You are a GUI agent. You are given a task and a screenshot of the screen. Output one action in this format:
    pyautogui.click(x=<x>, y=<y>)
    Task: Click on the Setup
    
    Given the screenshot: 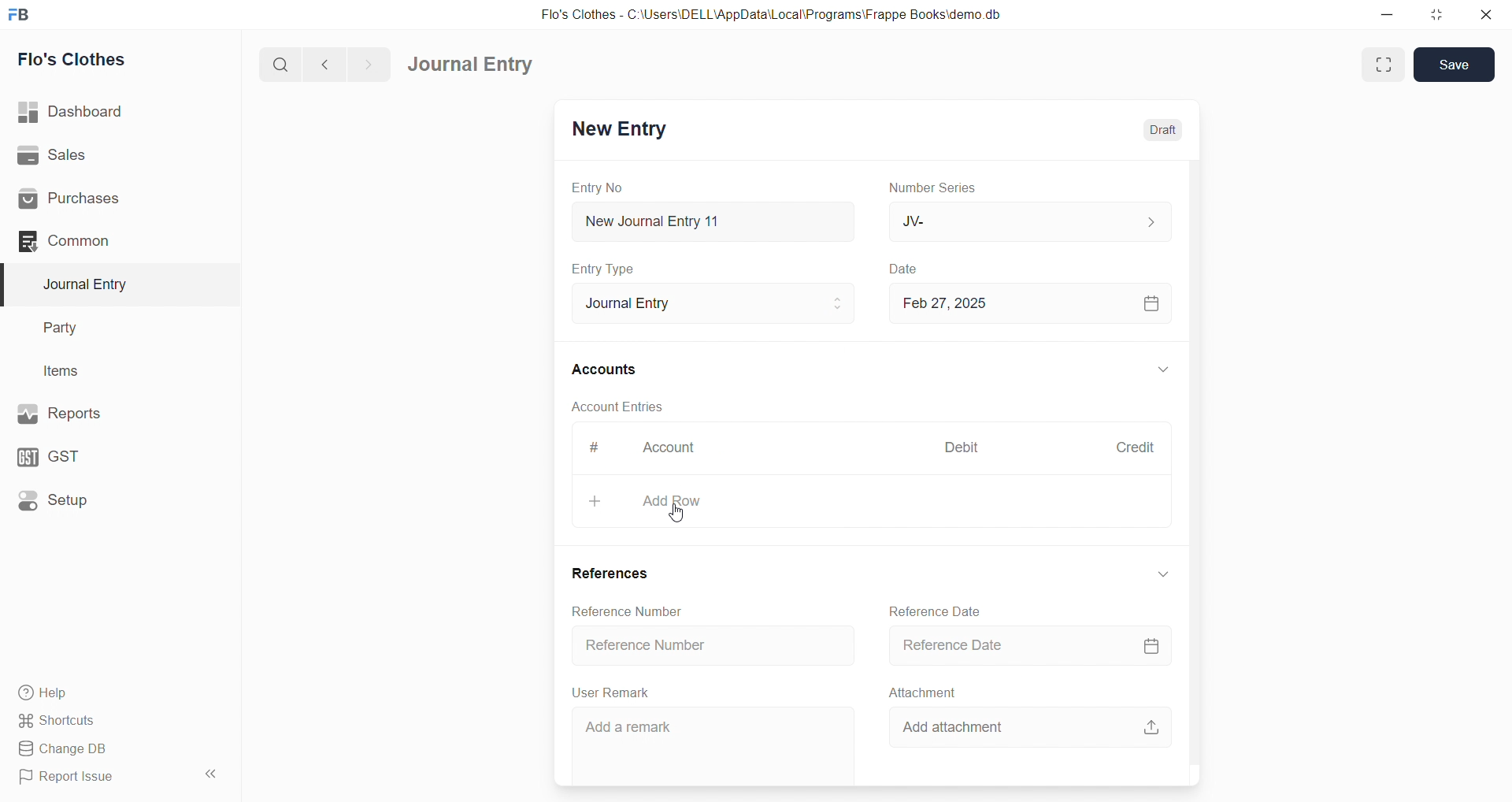 What is the action you would take?
    pyautogui.click(x=91, y=503)
    